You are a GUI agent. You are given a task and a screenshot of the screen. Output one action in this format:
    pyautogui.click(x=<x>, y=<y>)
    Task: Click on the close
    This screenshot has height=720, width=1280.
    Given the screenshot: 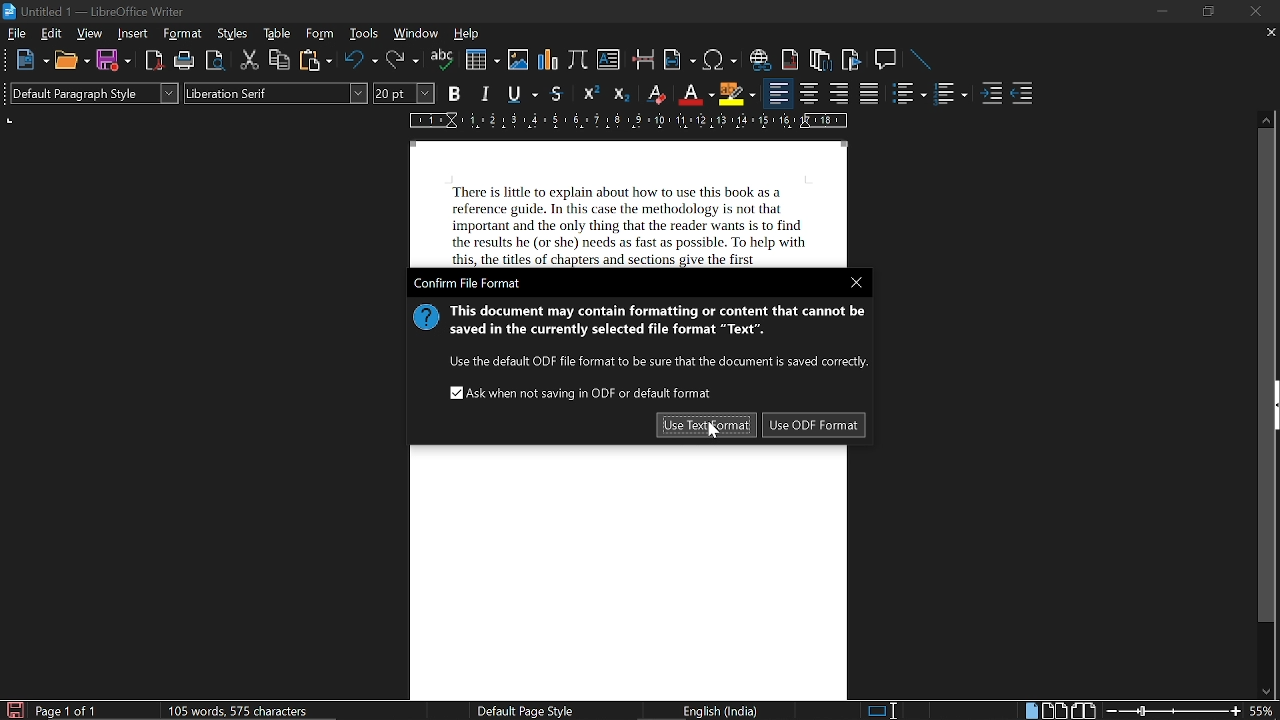 What is the action you would take?
    pyautogui.click(x=1257, y=11)
    